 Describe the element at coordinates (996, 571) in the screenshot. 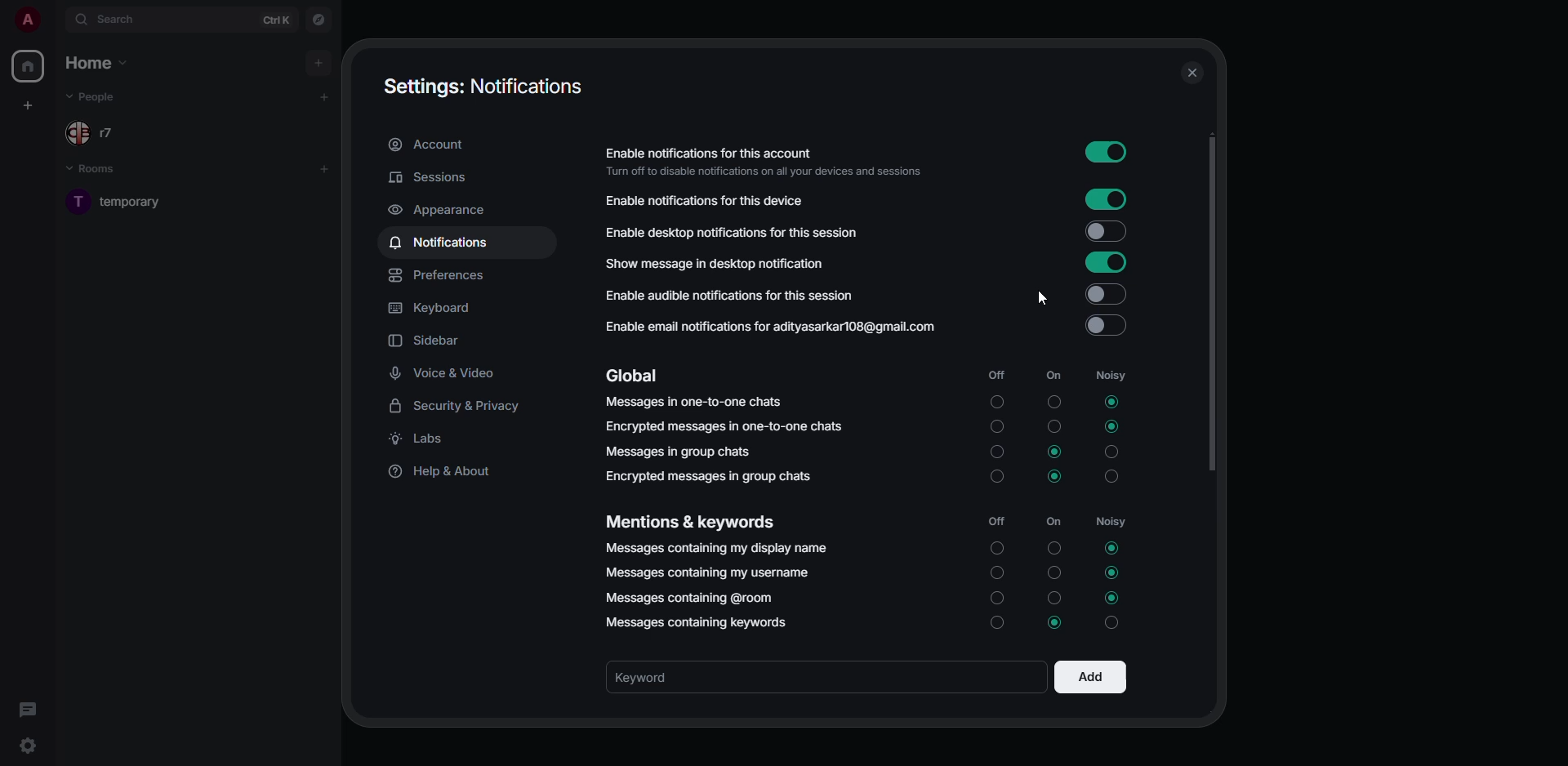

I see `Off Unselected` at that location.